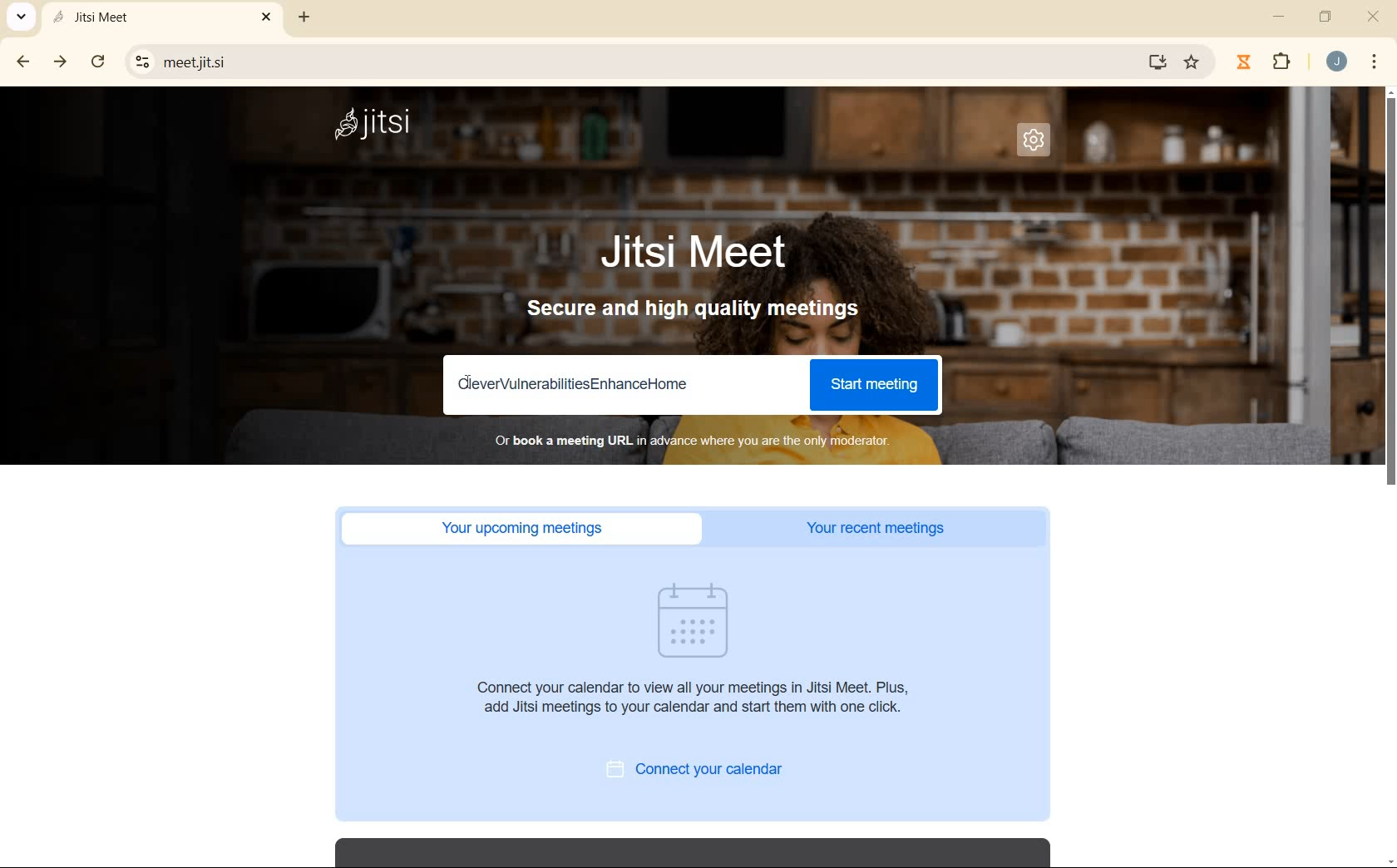  Describe the element at coordinates (1326, 21) in the screenshot. I see `RESTORE DOWN` at that location.